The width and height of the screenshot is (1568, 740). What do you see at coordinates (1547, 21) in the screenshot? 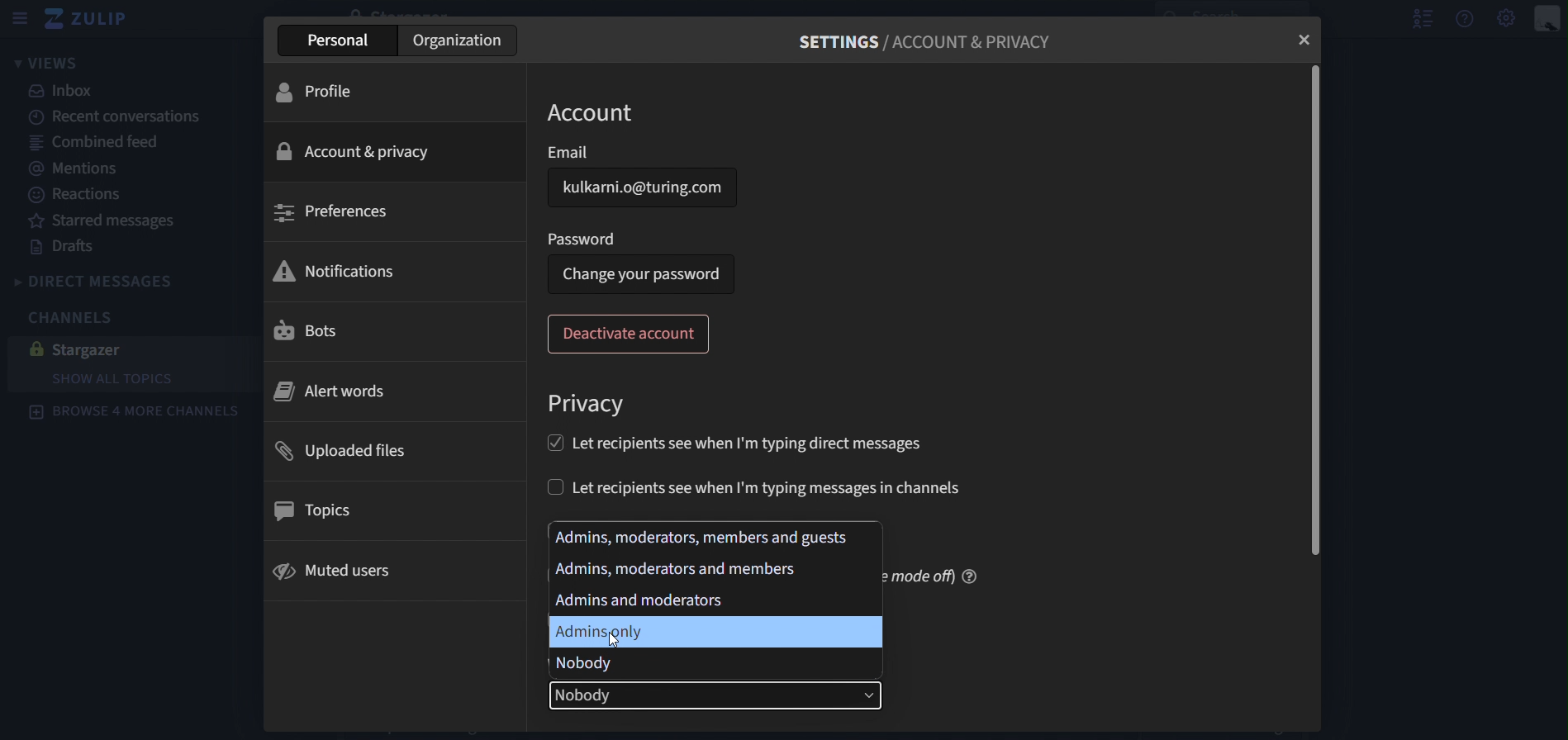
I see `personal menu` at bounding box center [1547, 21].